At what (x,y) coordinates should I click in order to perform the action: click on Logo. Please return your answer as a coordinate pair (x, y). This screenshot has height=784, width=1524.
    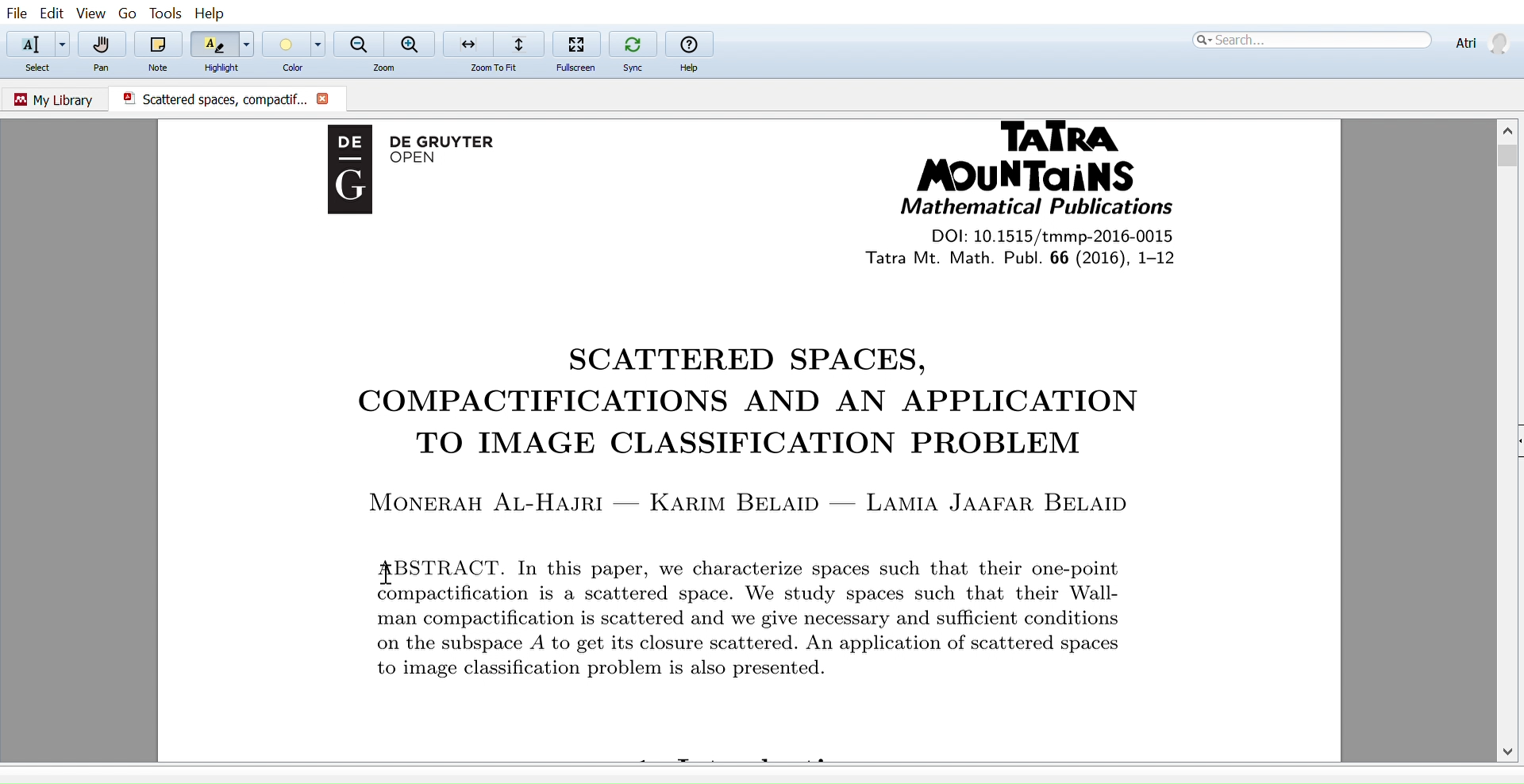
    Looking at the image, I should click on (344, 180).